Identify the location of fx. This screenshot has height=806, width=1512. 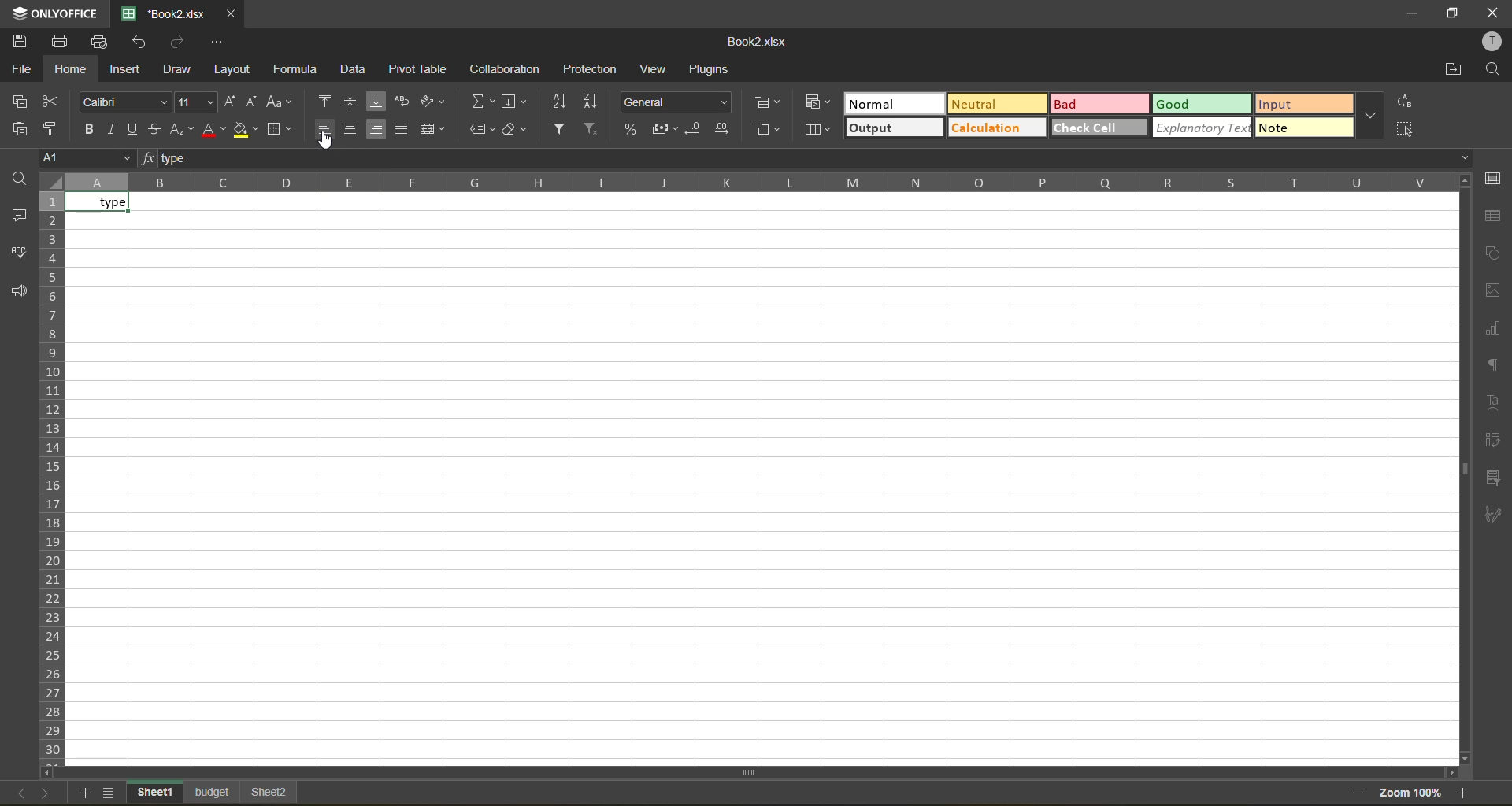
(150, 157).